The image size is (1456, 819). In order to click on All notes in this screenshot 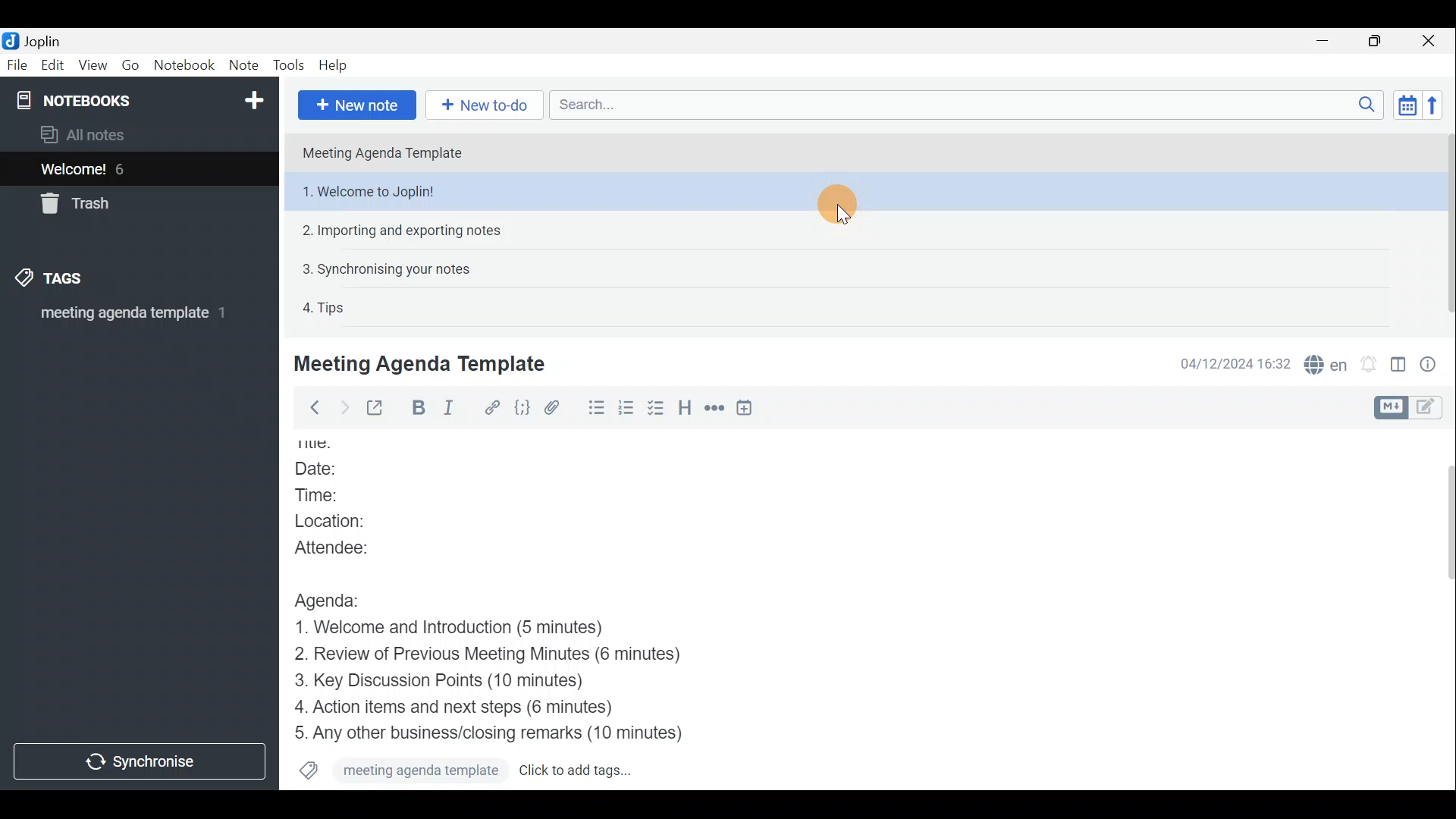, I will do `click(108, 134)`.